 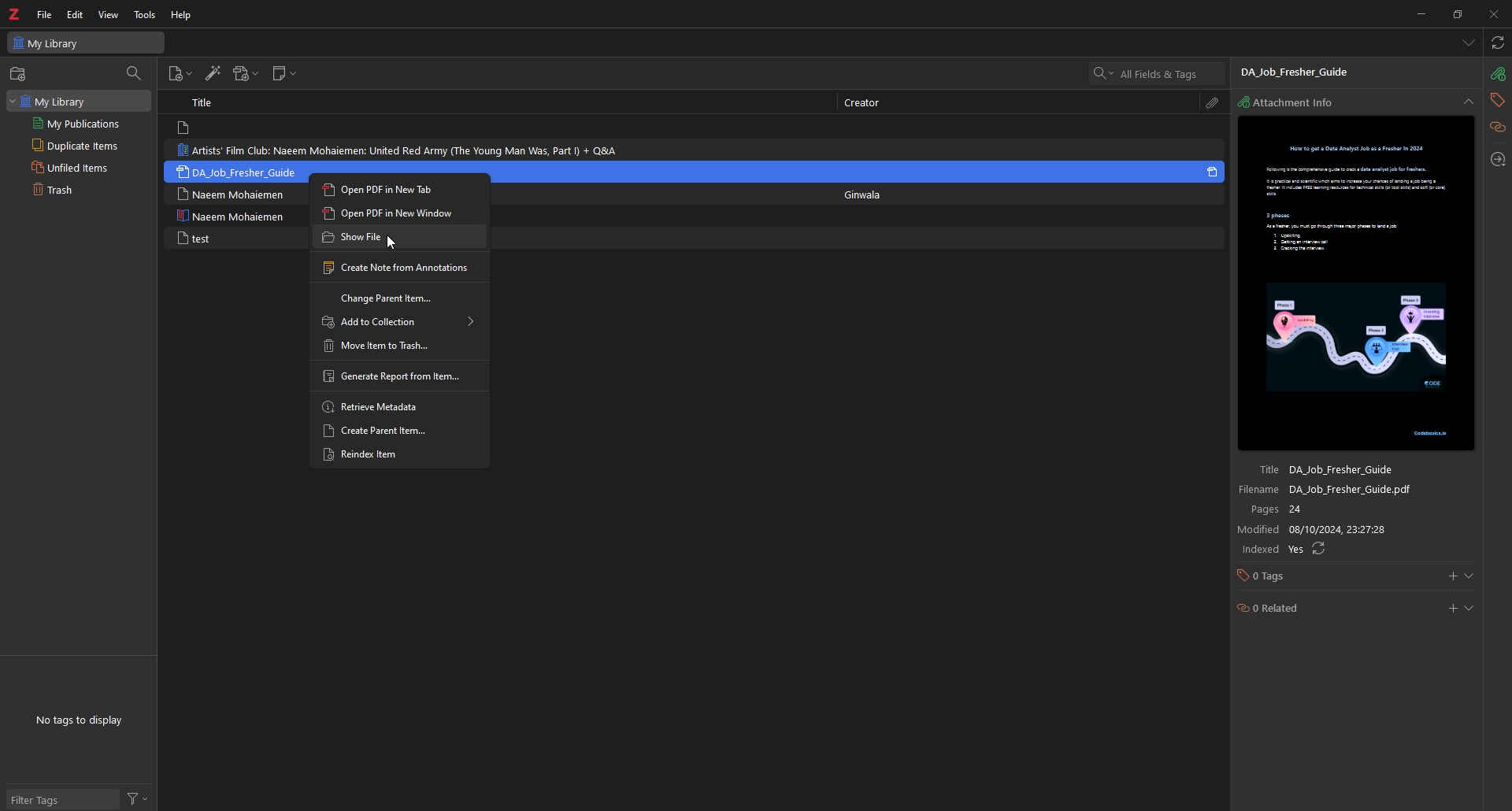 What do you see at coordinates (1310, 72) in the screenshot?
I see `file name` at bounding box center [1310, 72].